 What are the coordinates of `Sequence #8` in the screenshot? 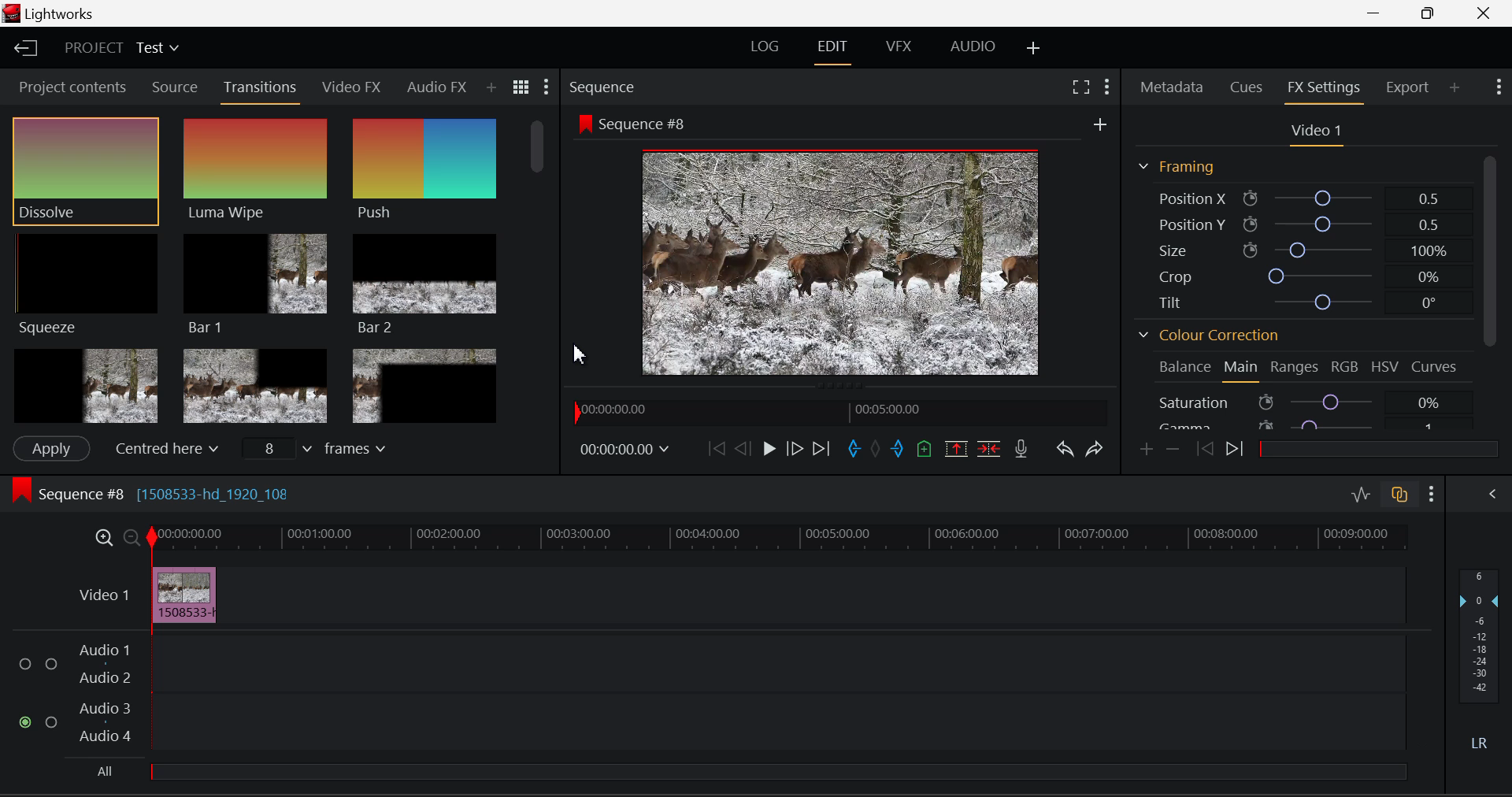 It's located at (639, 124).